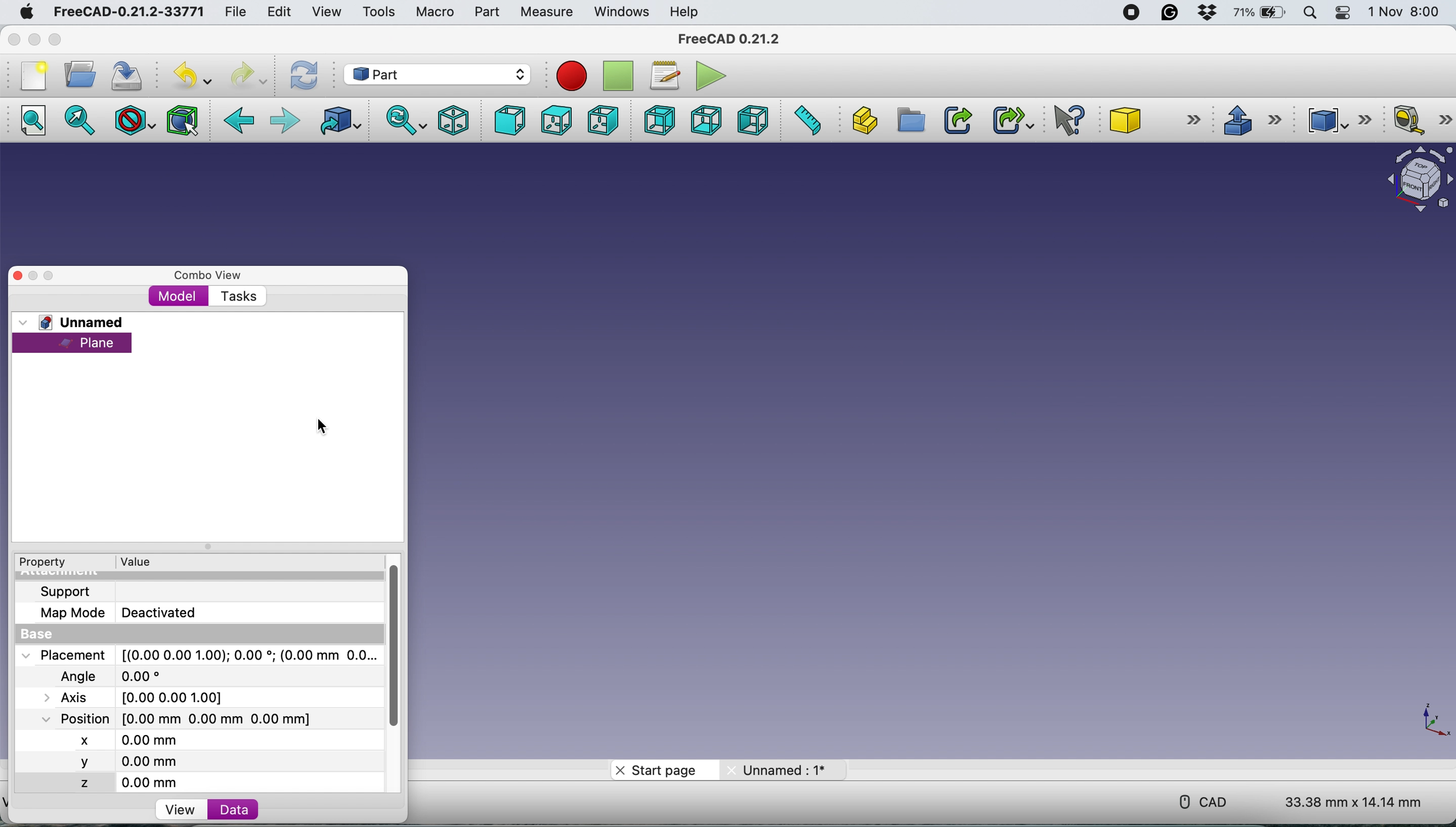 Image resolution: width=1456 pixels, height=827 pixels. Describe the element at coordinates (603, 122) in the screenshot. I see `right` at that location.